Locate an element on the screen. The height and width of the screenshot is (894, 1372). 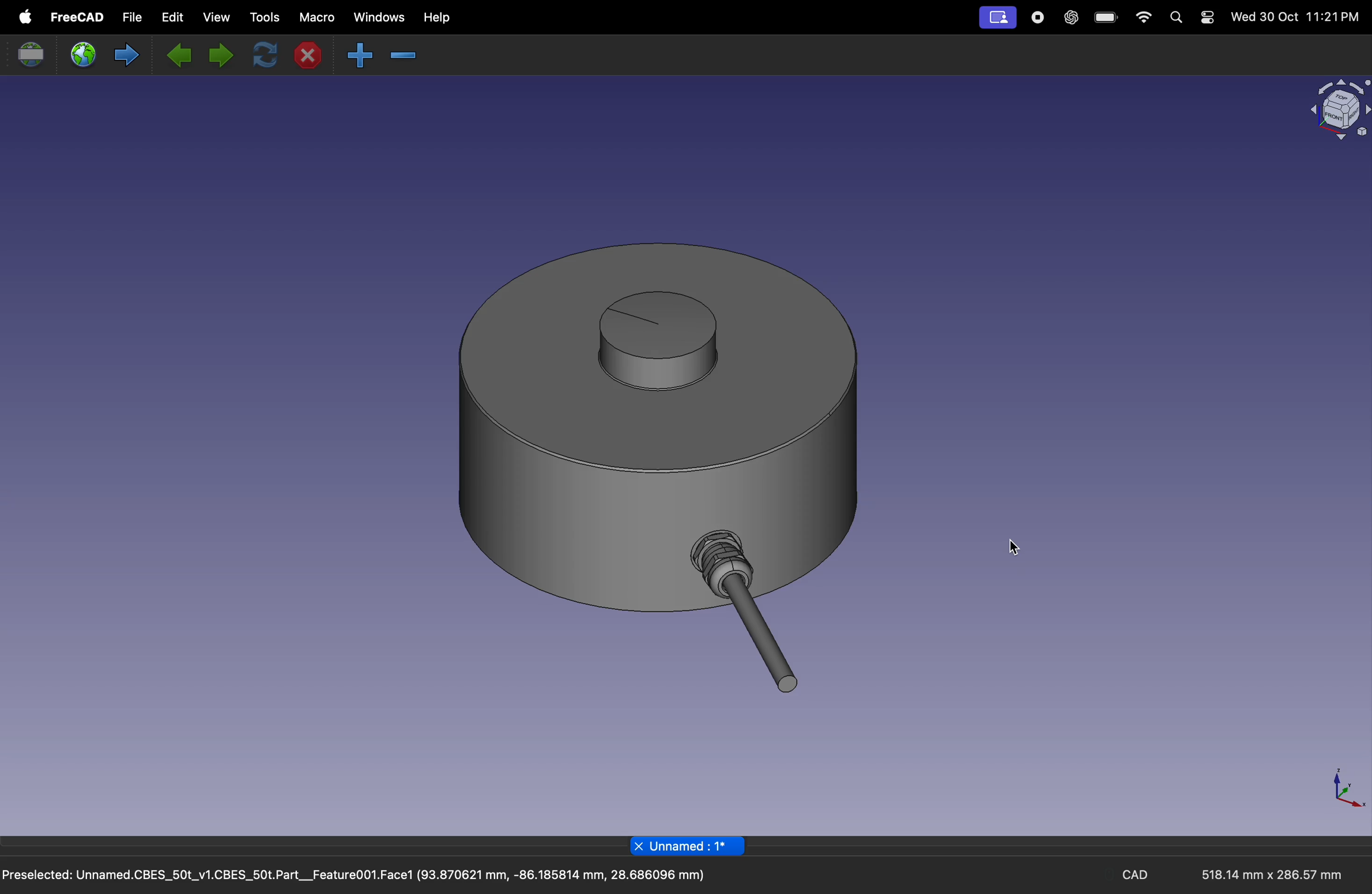
settings is located at coordinates (1207, 18).